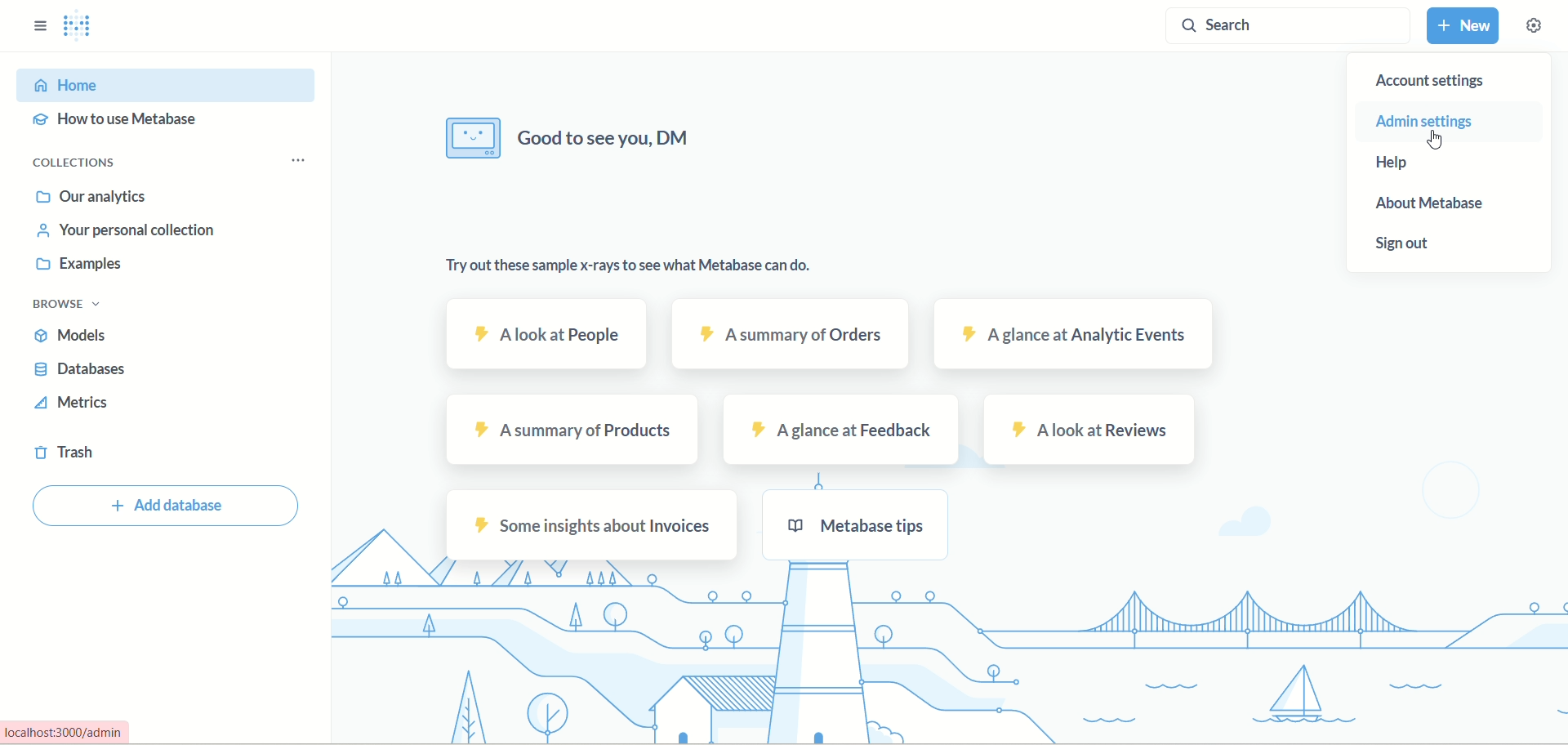  I want to click on Add database, so click(168, 506).